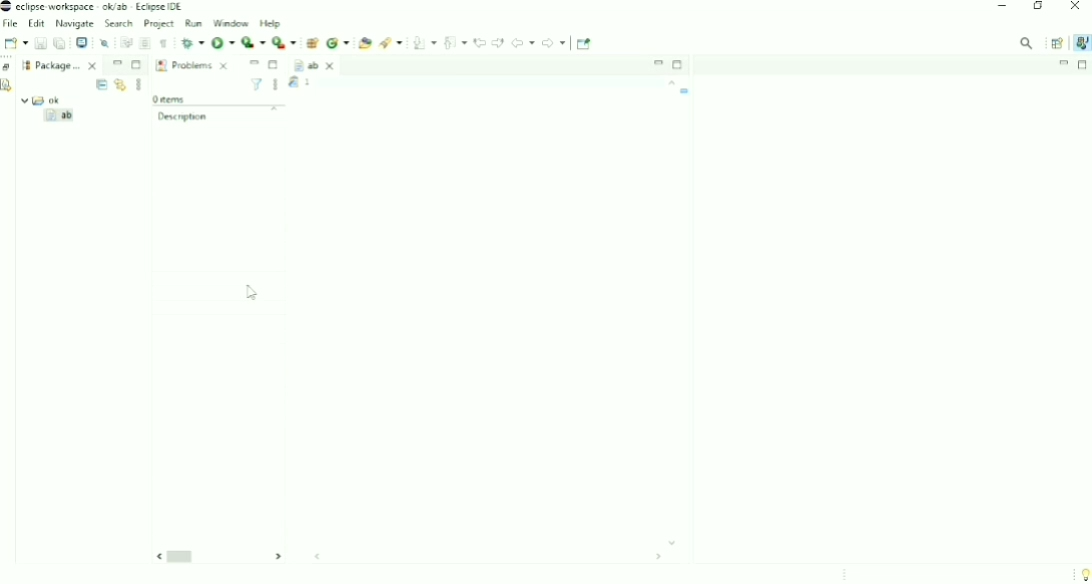  I want to click on Open Type, so click(365, 43).